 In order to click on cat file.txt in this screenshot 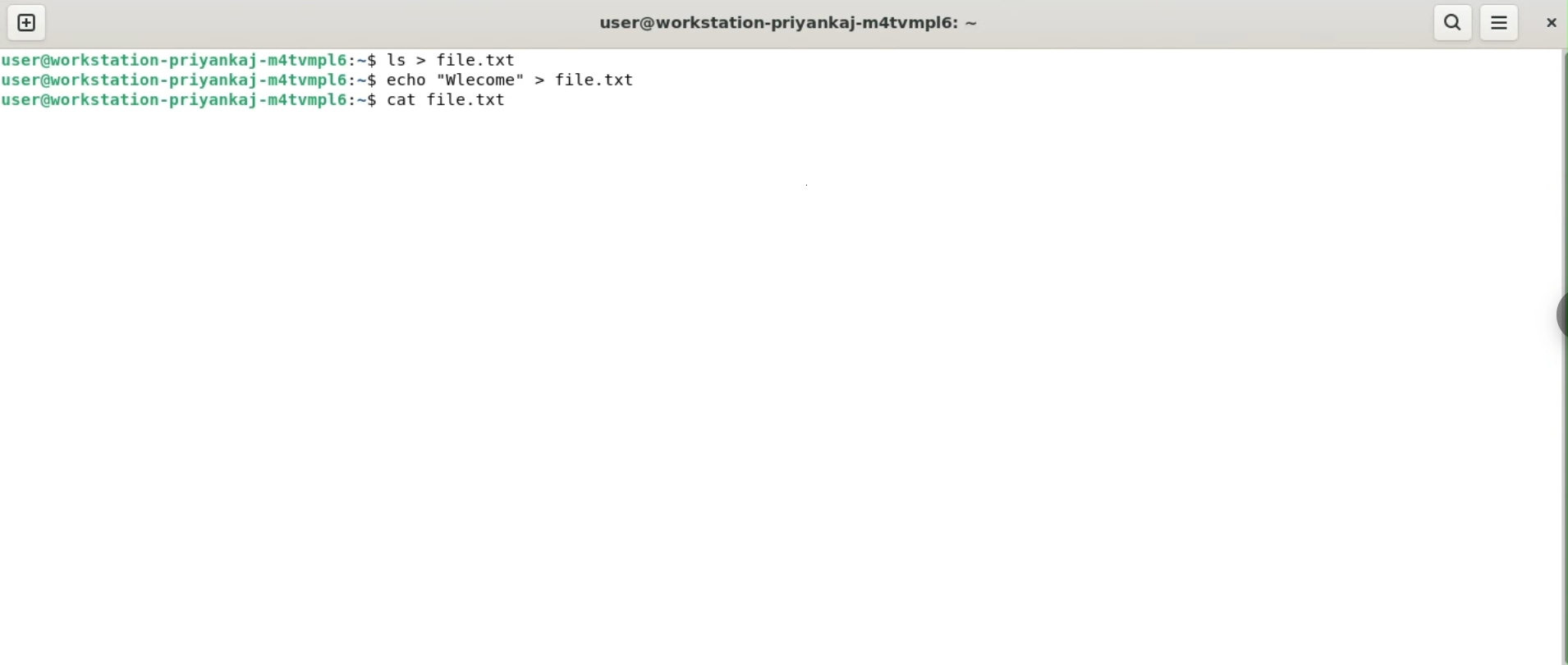, I will do `click(452, 102)`.